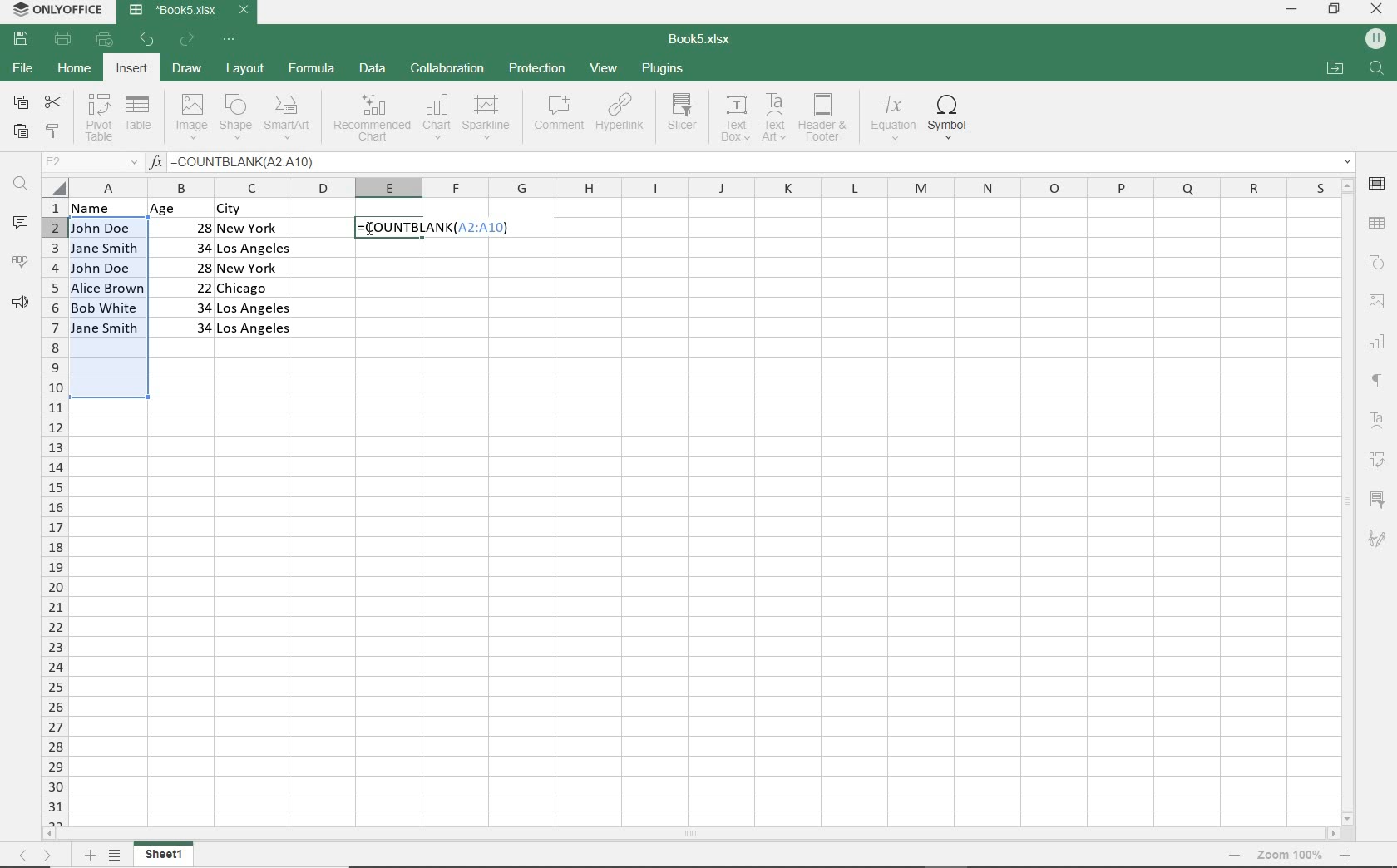 The image size is (1397, 868). Describe the element at coordinates (237, 116) in the screenshot. I see `SHAPE` at that location.